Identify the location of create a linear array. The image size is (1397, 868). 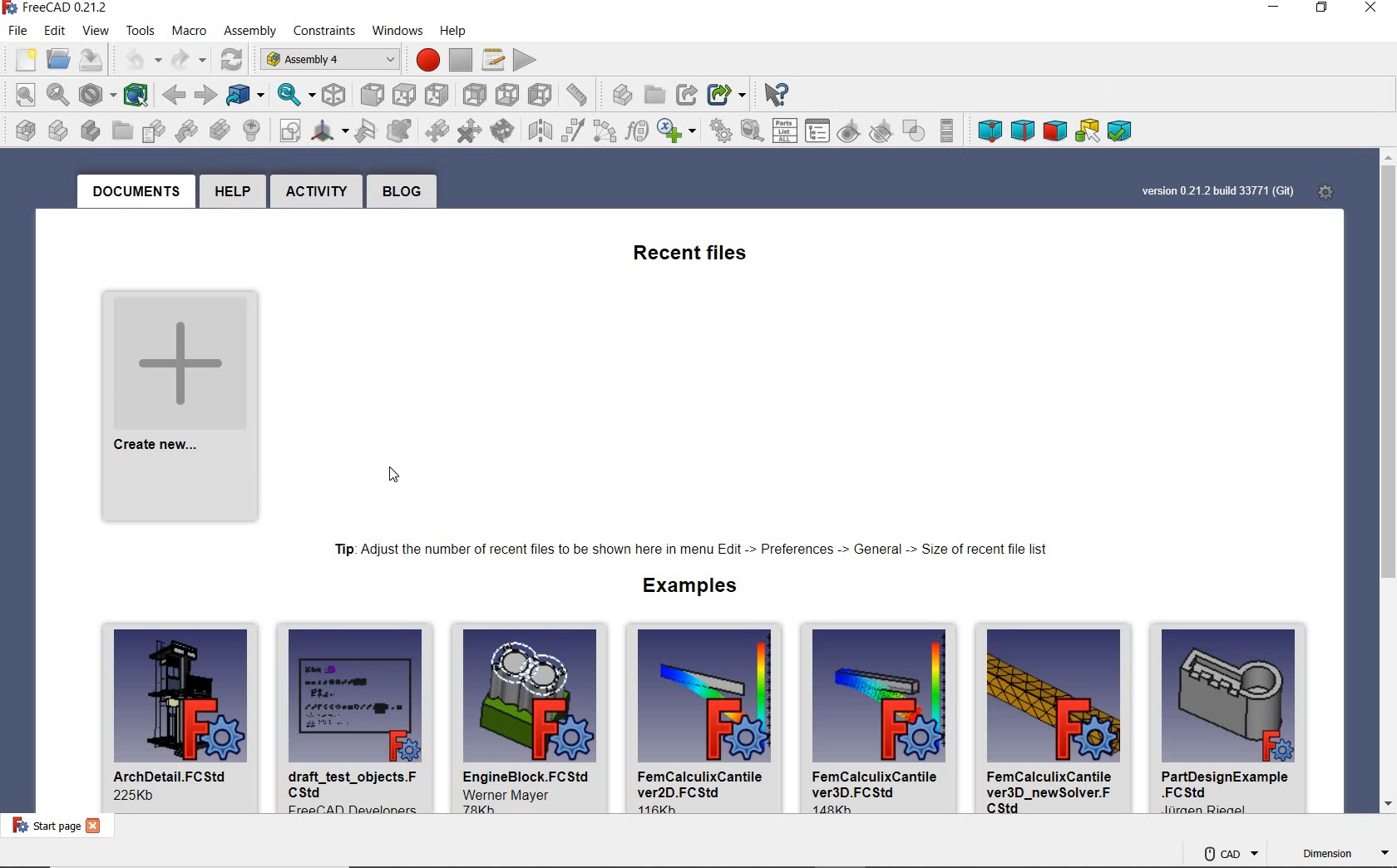
(539, 131).